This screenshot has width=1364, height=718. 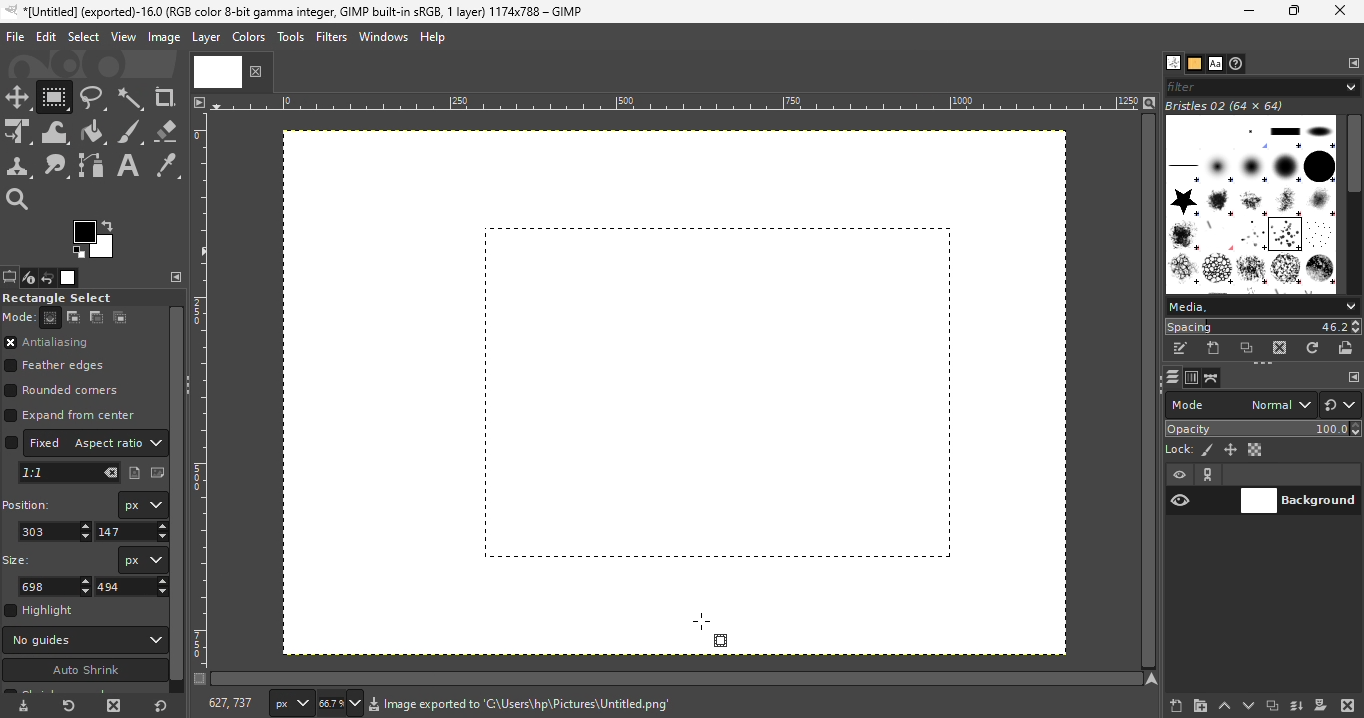 I want to click on Bristles 02 (64 x 64), so click(x=1229, y=106).